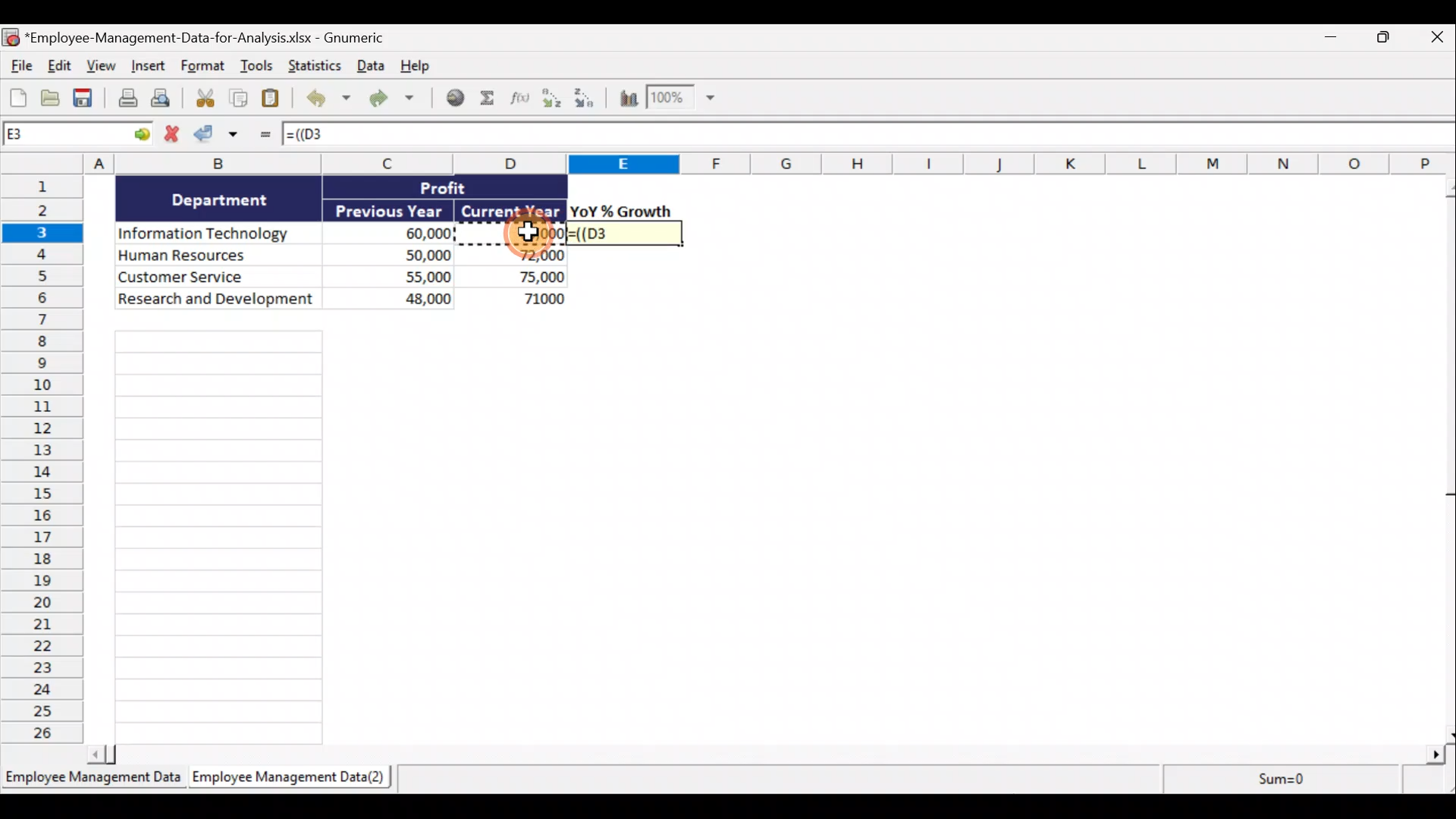 The width and height of the screenshot is (1456, 819). Describe the element at coordinates (342, 242) in the screenshot. I see `Data` at that location.